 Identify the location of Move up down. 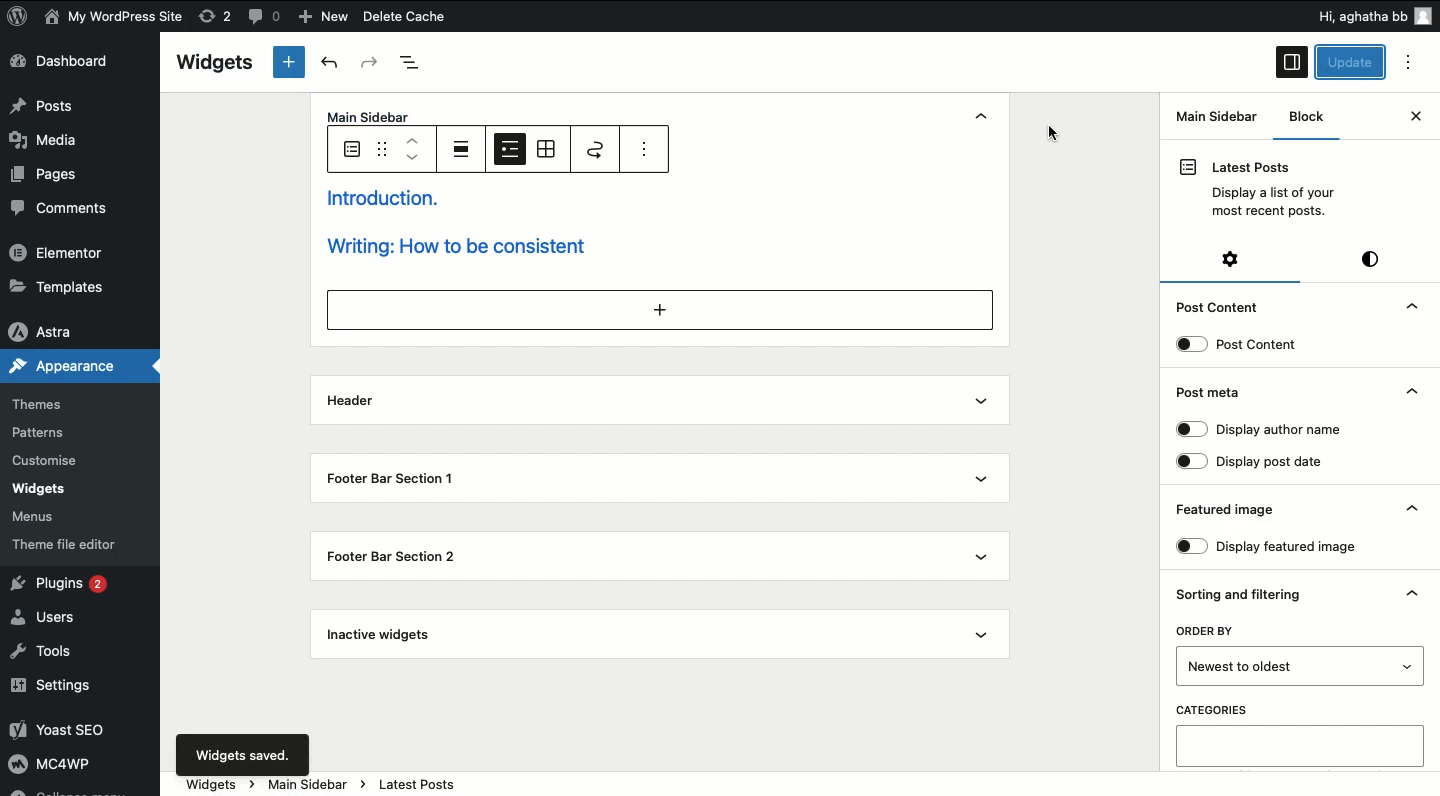
(413, 150).